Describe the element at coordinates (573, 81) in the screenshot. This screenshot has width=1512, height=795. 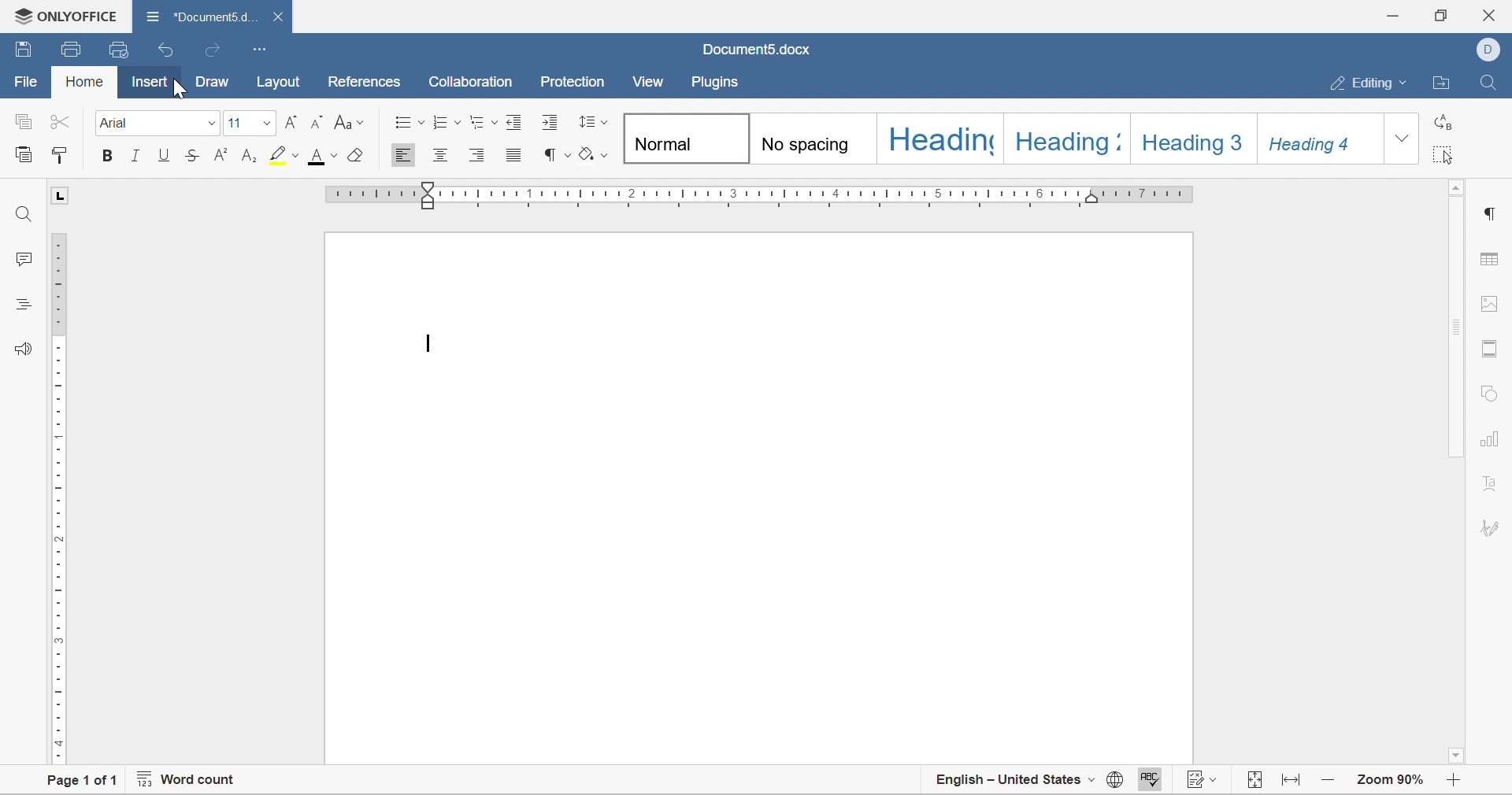
I see `protection` at that location.